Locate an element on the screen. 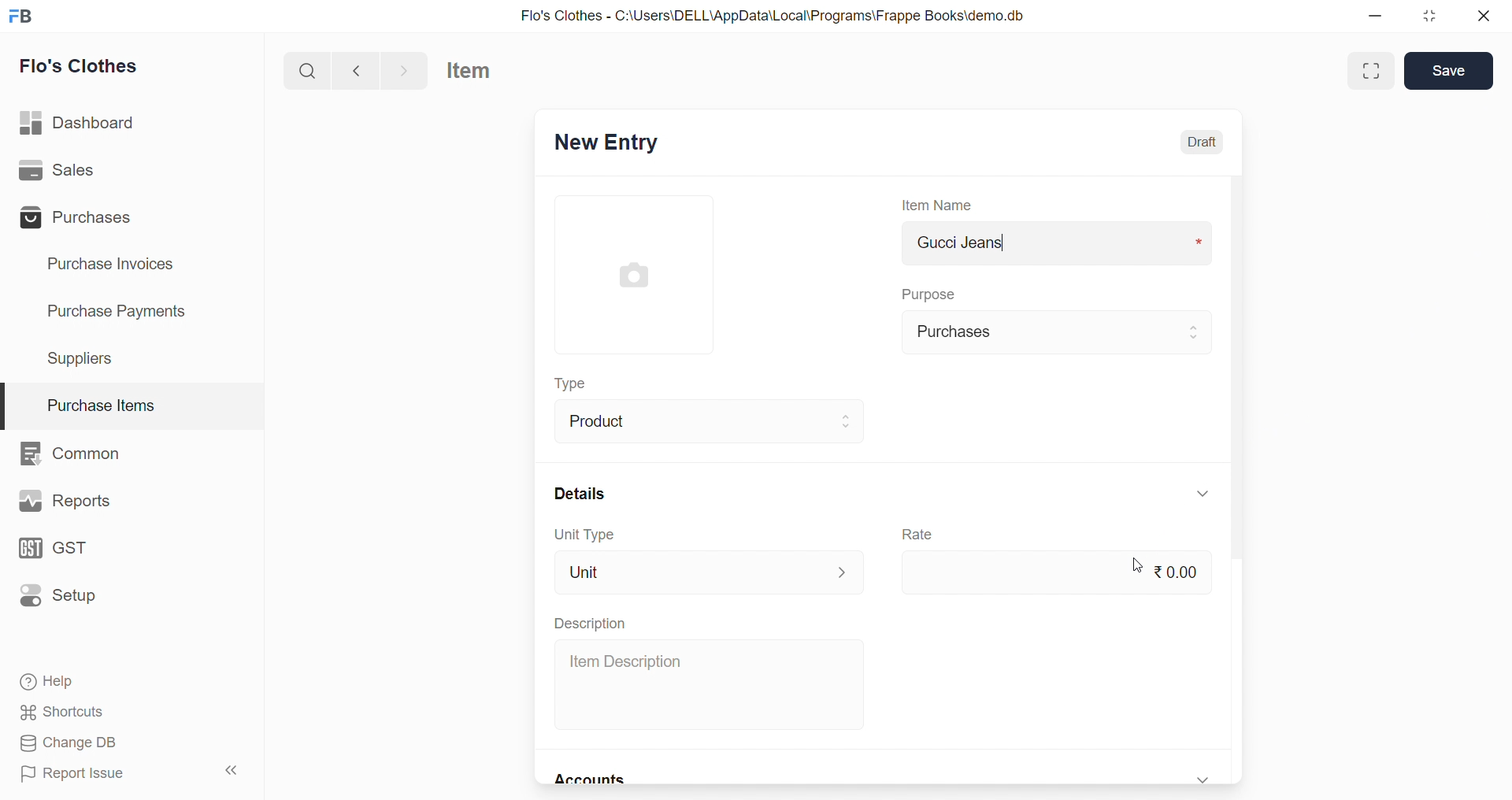 Image resolution: width=1512 pixels, height=800 pixels. GST is located at coordinates (74, 550).